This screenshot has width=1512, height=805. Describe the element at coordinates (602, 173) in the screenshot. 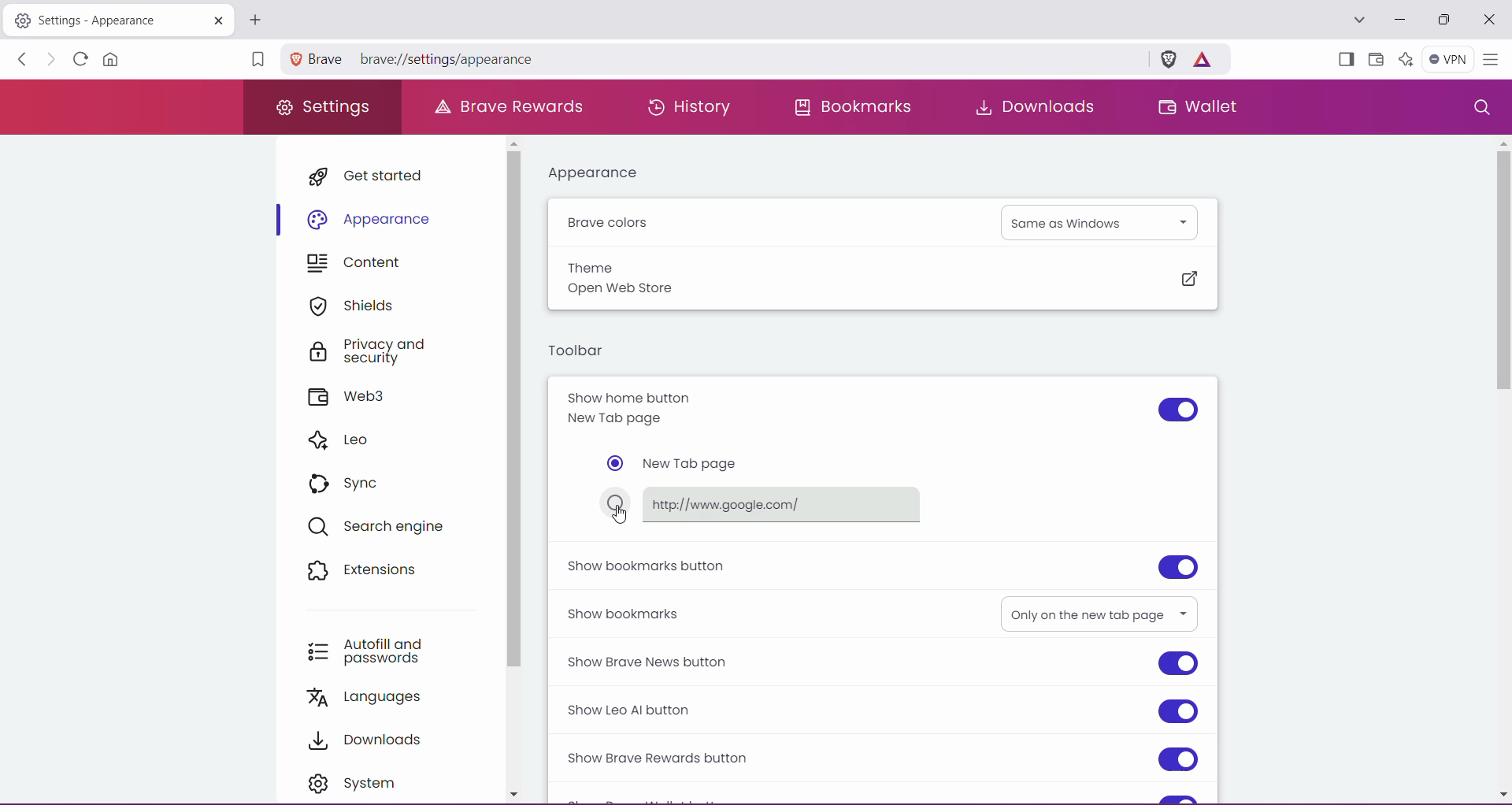

I see `Appearance` at that location.